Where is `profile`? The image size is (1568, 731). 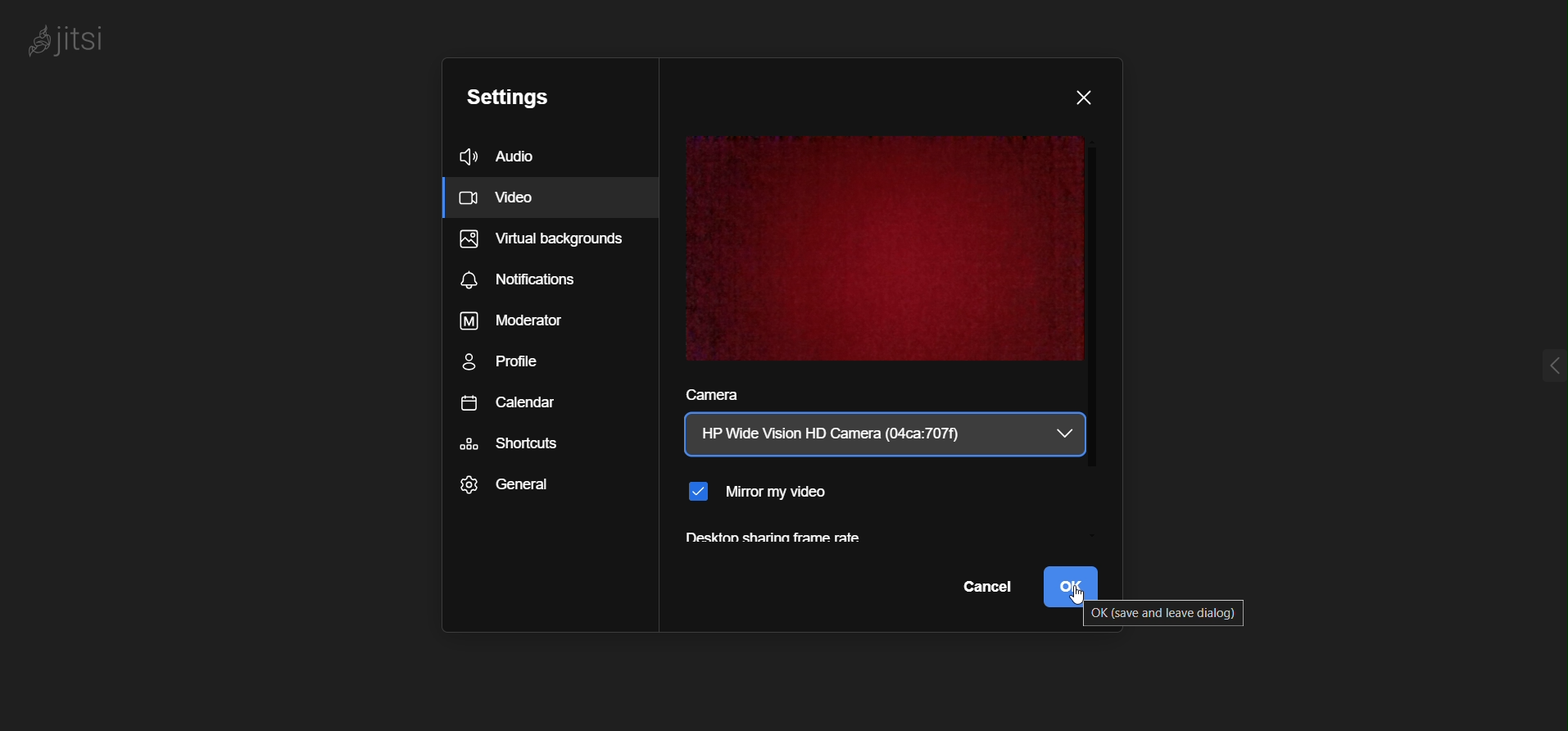 profile is located at coordinates (518, 366).